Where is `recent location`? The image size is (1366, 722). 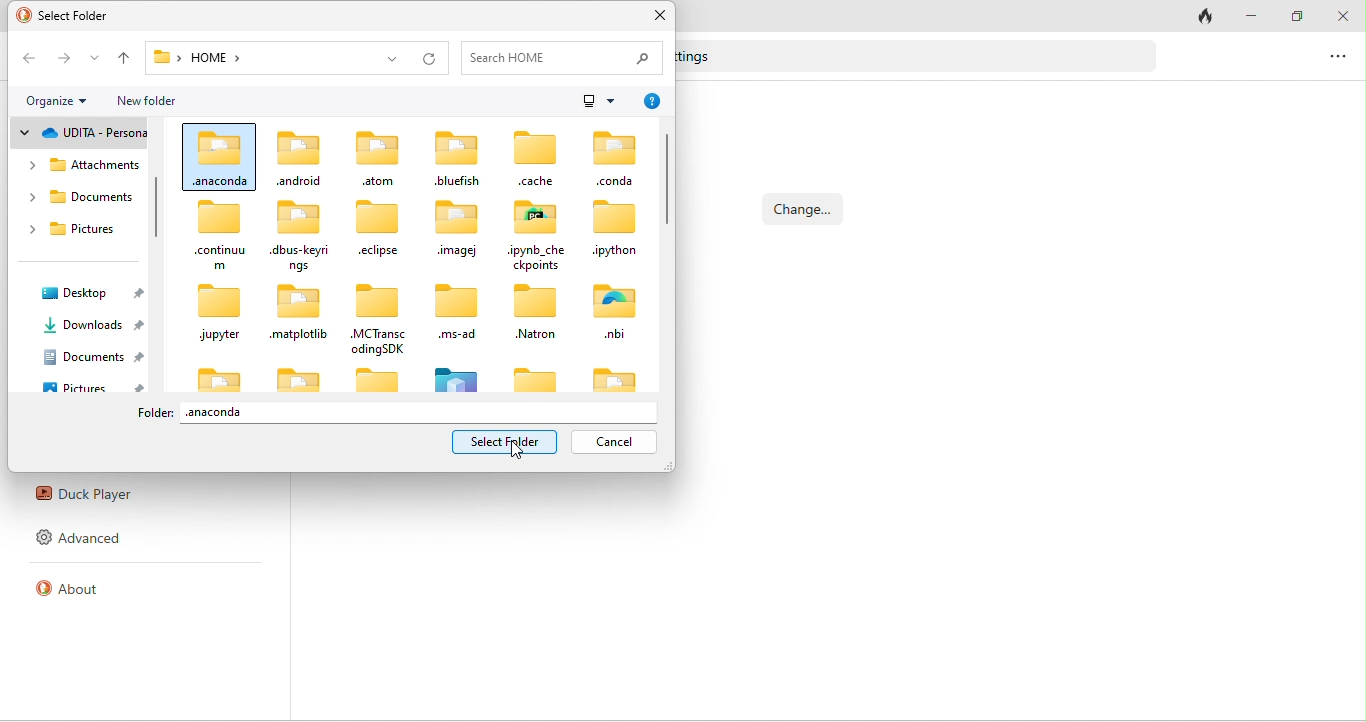
recent location is located at coordinates (94, 59).